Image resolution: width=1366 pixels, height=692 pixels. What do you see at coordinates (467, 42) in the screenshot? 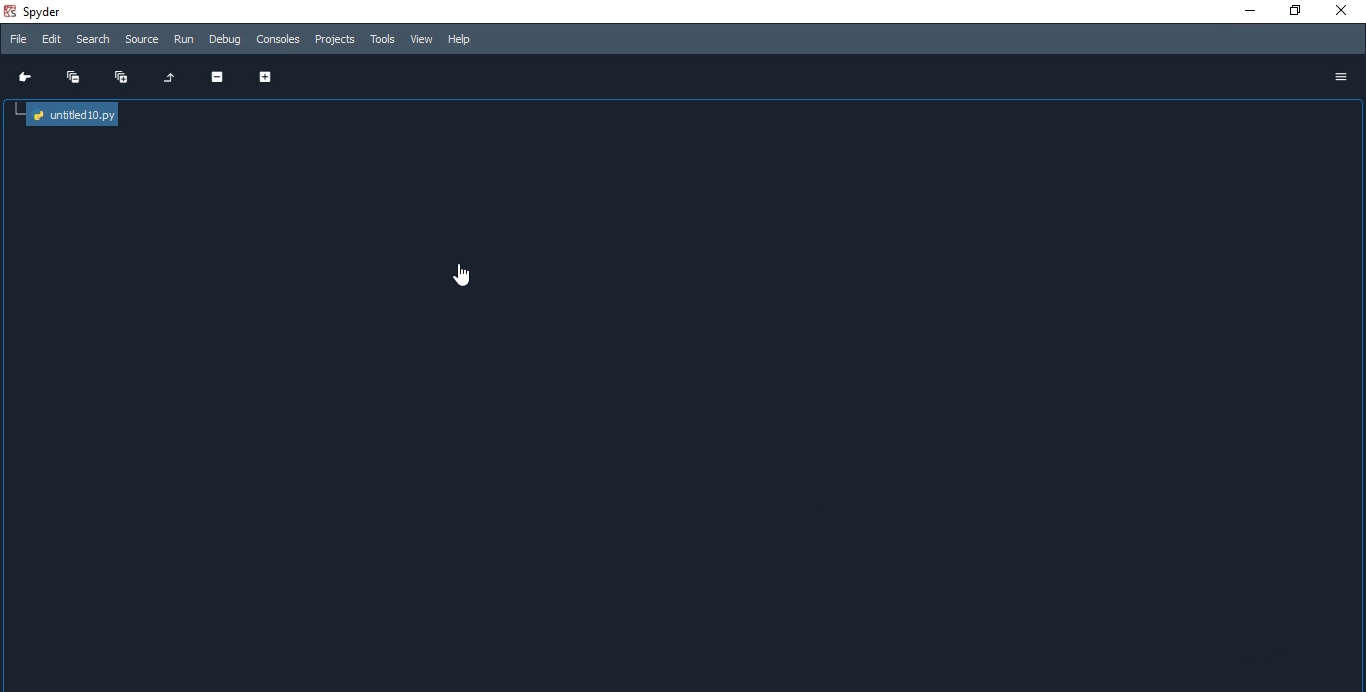
I see `Help` at bounding box center [467, 42].